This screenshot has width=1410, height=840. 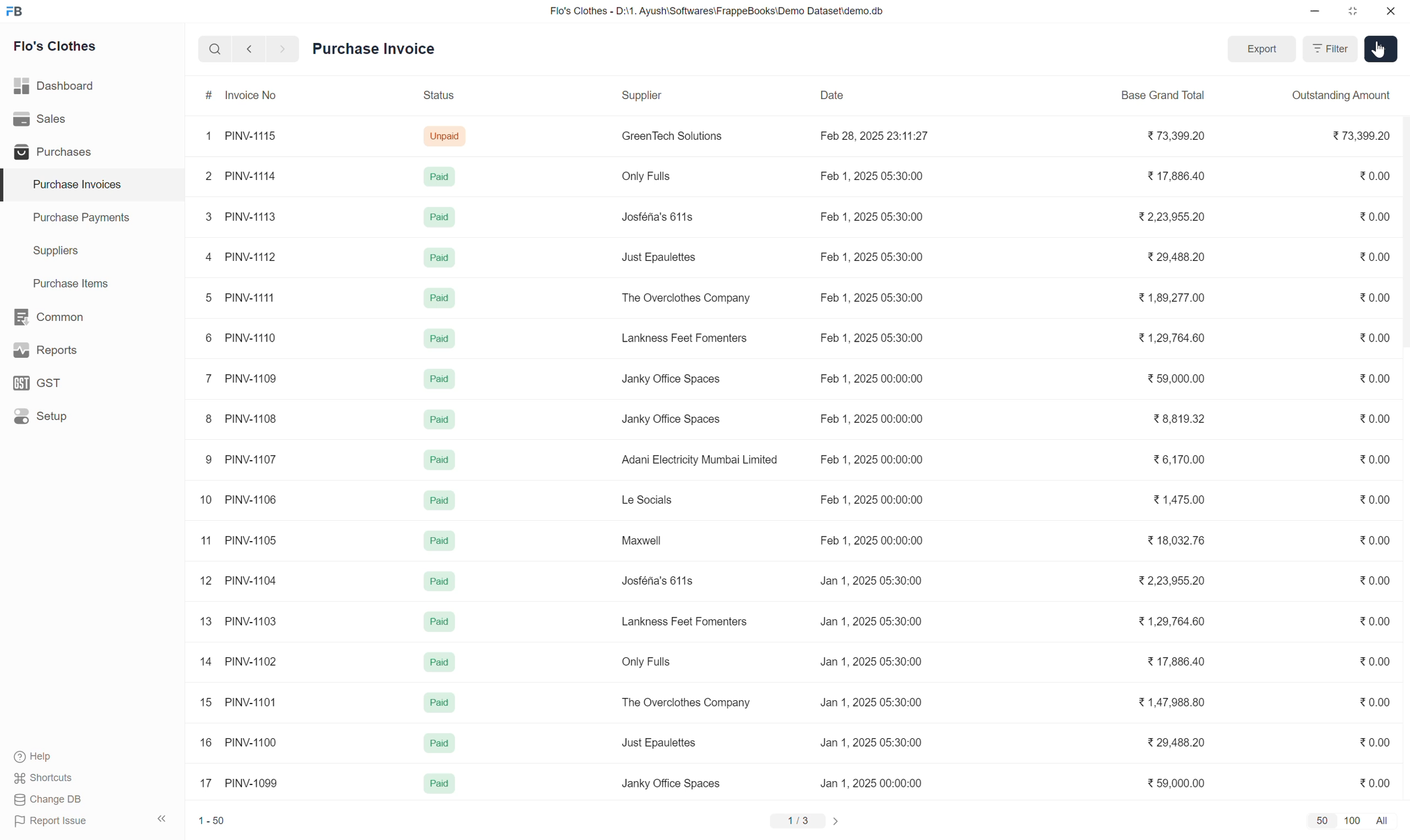 What do you see at coordinates (50, 316) in the screenshot?
I see `Common` at bounding box center [50, 316].